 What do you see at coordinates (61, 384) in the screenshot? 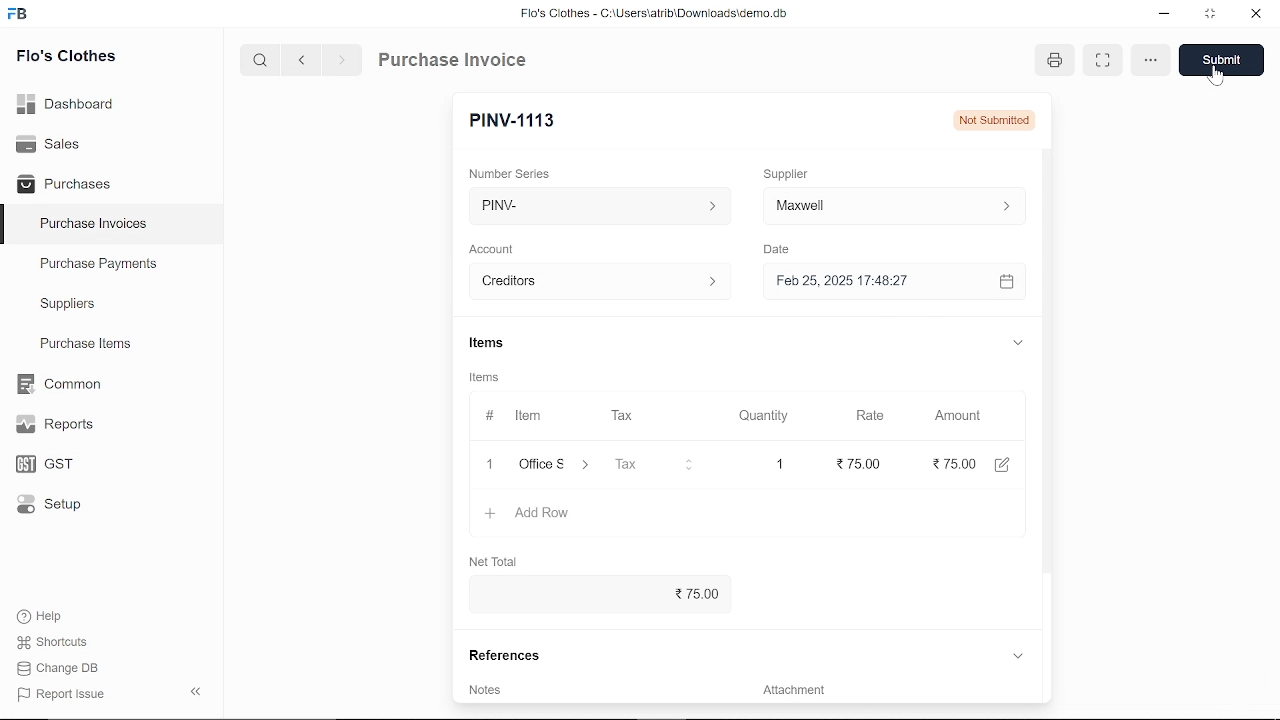
I see `Common` at bounding box center [61, 384].